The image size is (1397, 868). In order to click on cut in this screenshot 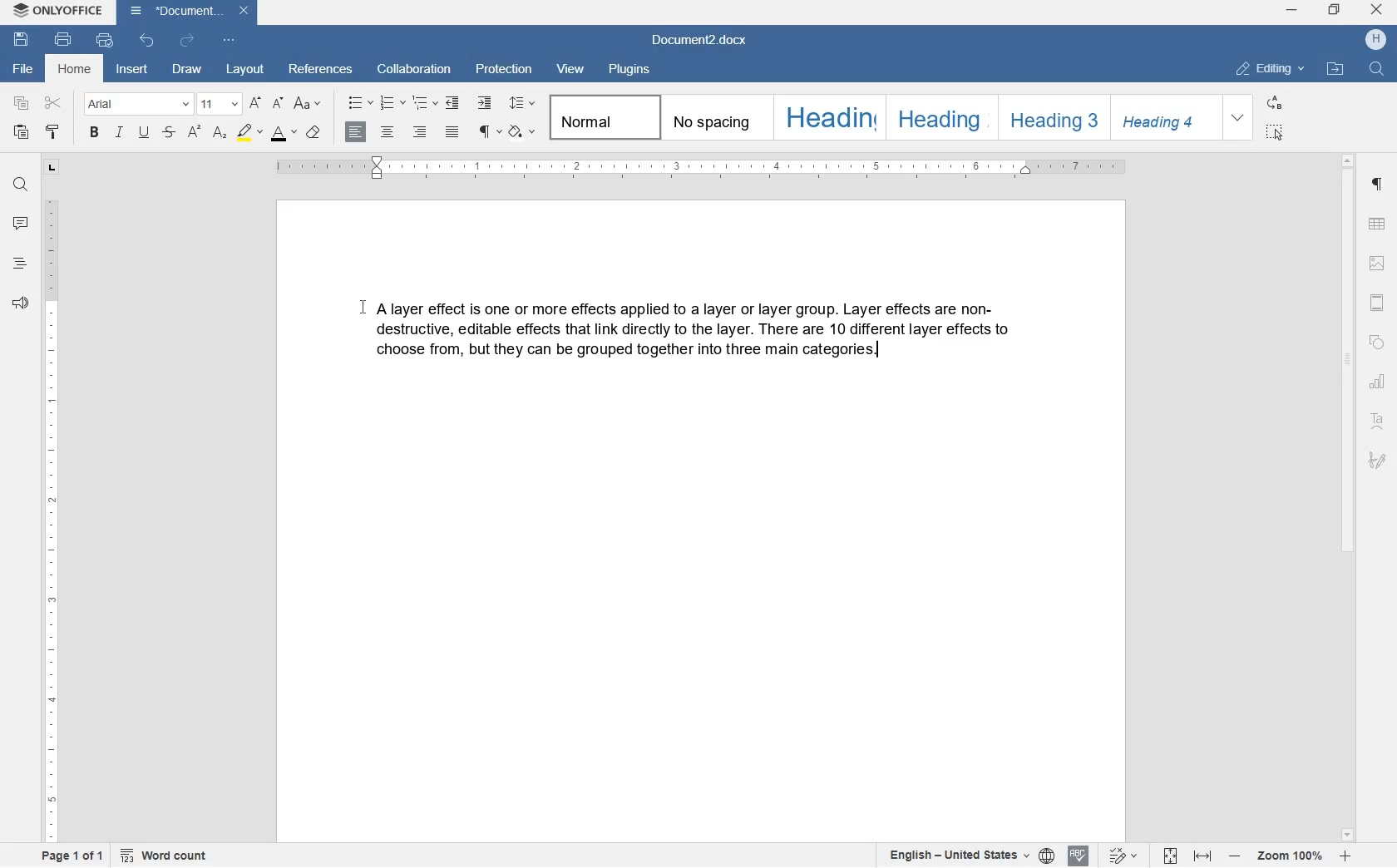, I will do `click(53, 104)`.